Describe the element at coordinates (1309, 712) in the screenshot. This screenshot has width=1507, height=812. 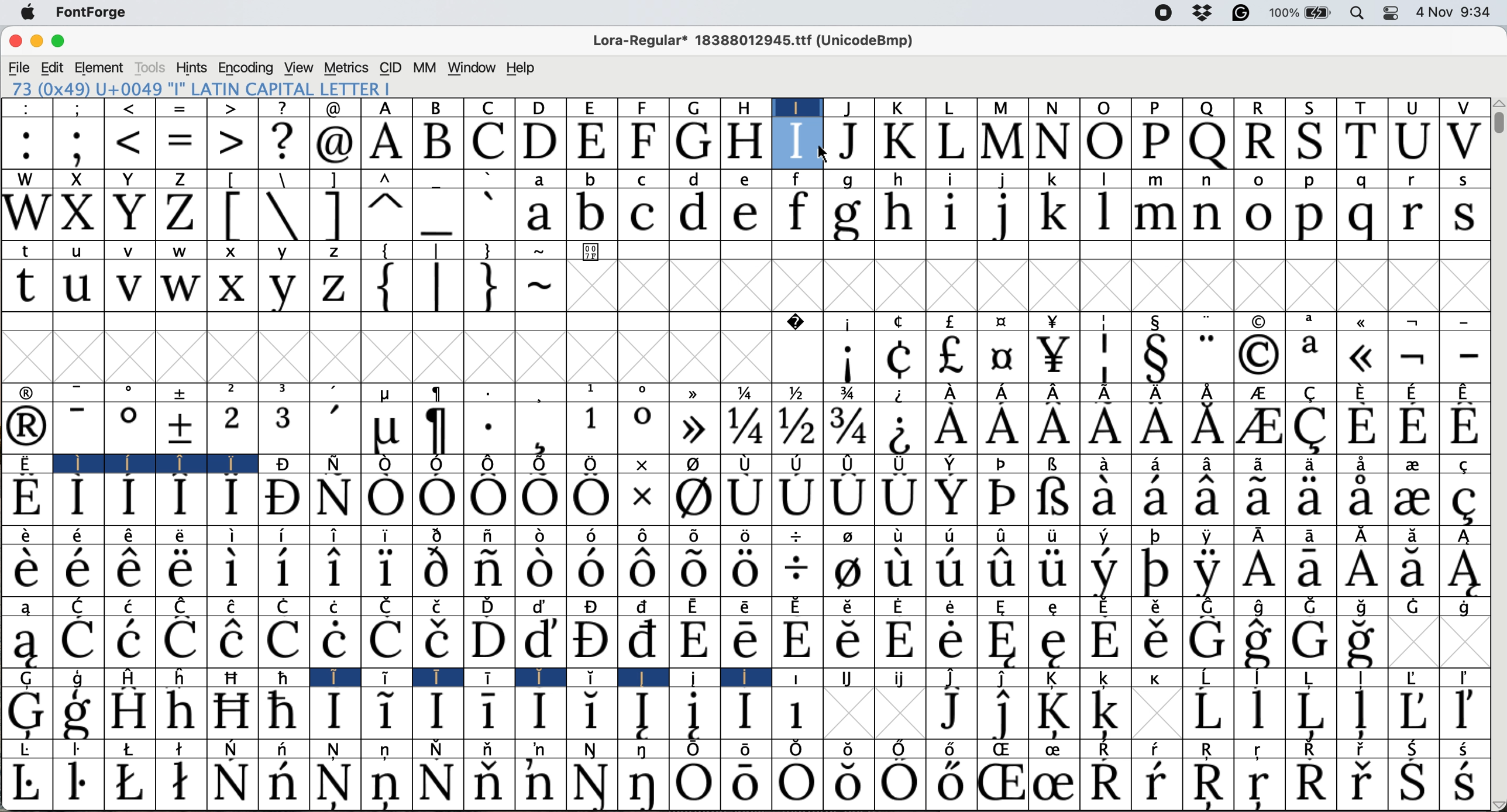
I see `Symbol` at that location.